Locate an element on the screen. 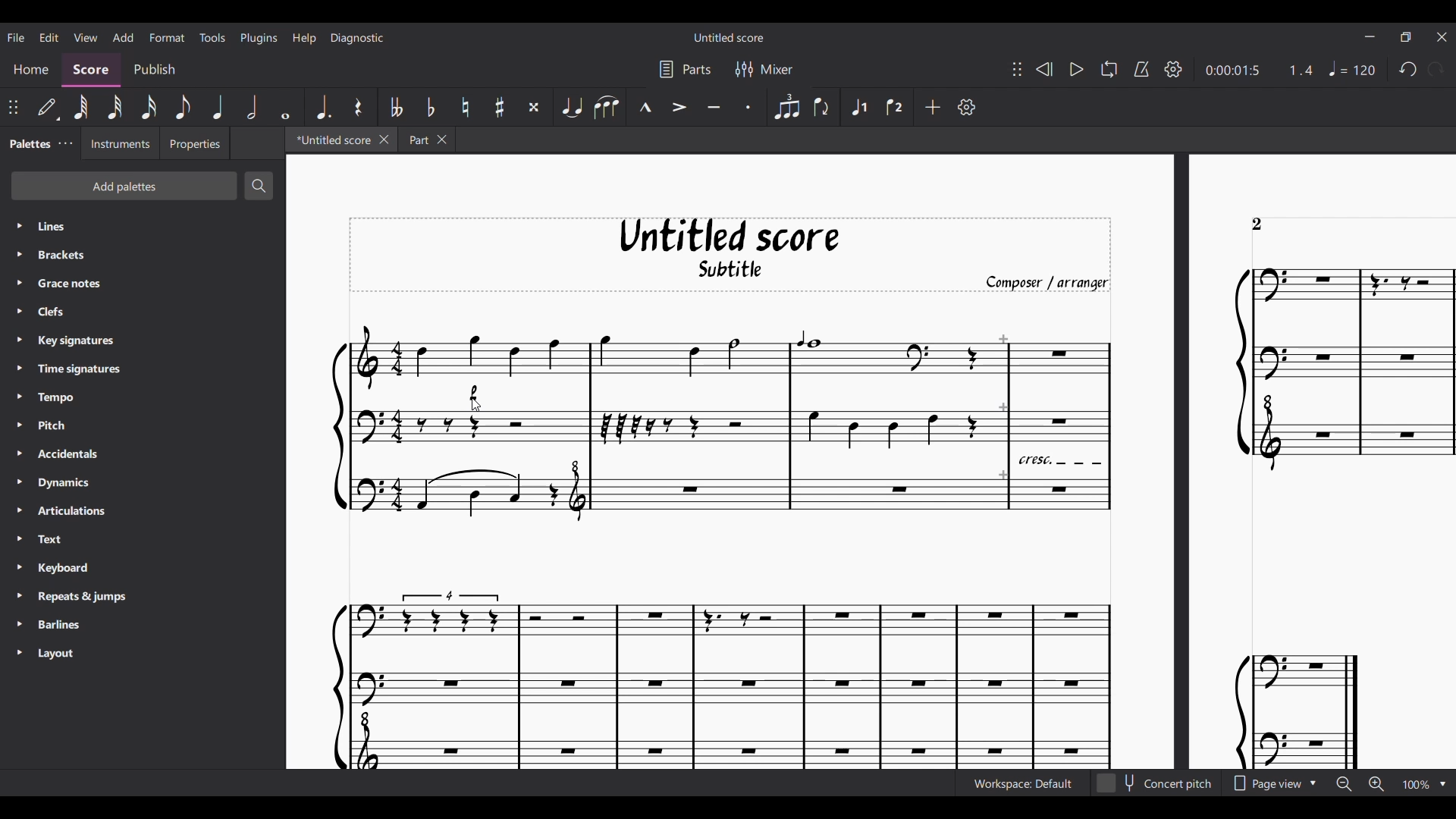 The height and width of the screenshot is (819, 1456). Zoom options is located at coordinates (1442, 784).